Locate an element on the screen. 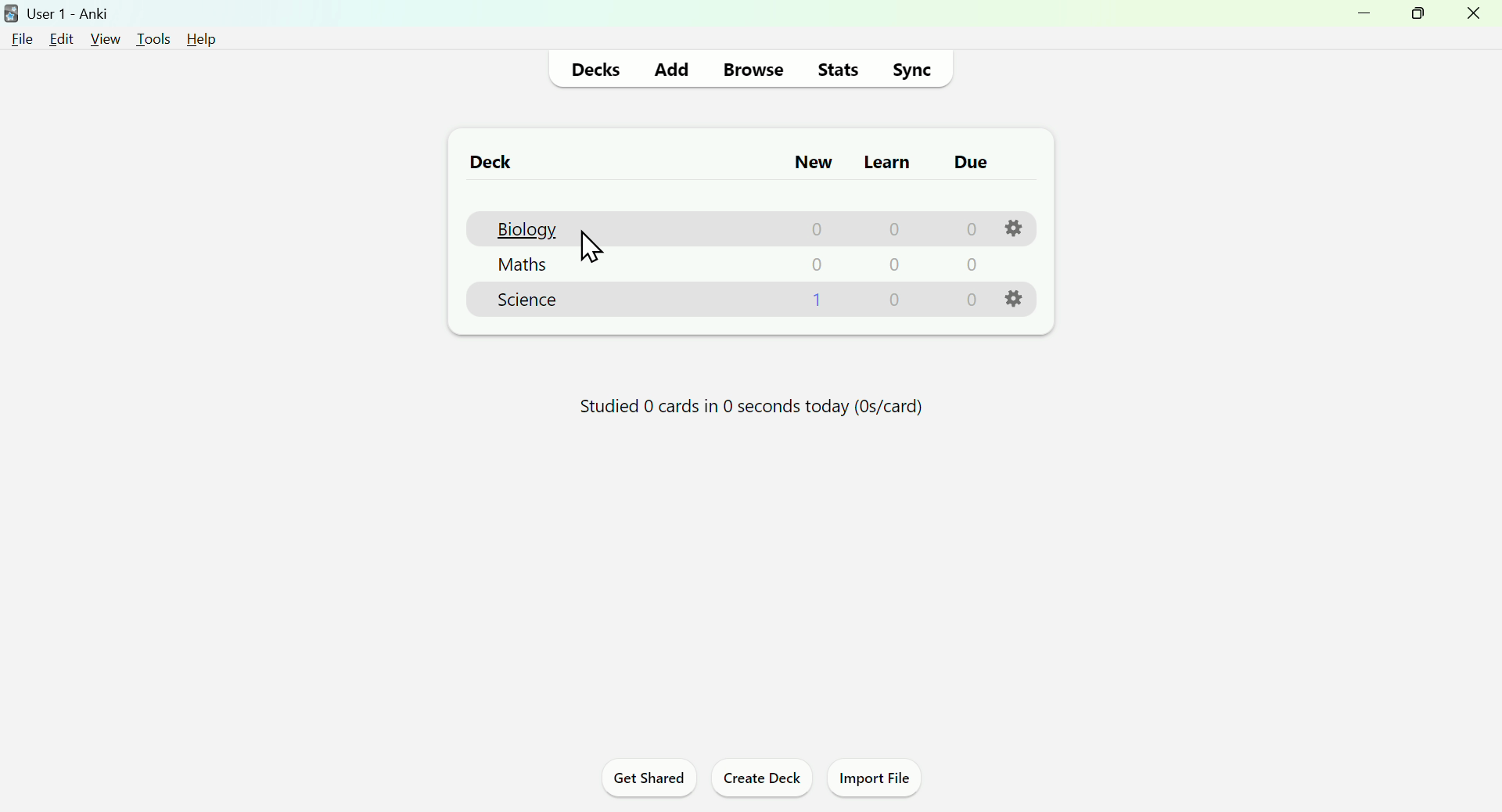  Decks is located at coordinates (596, 70).